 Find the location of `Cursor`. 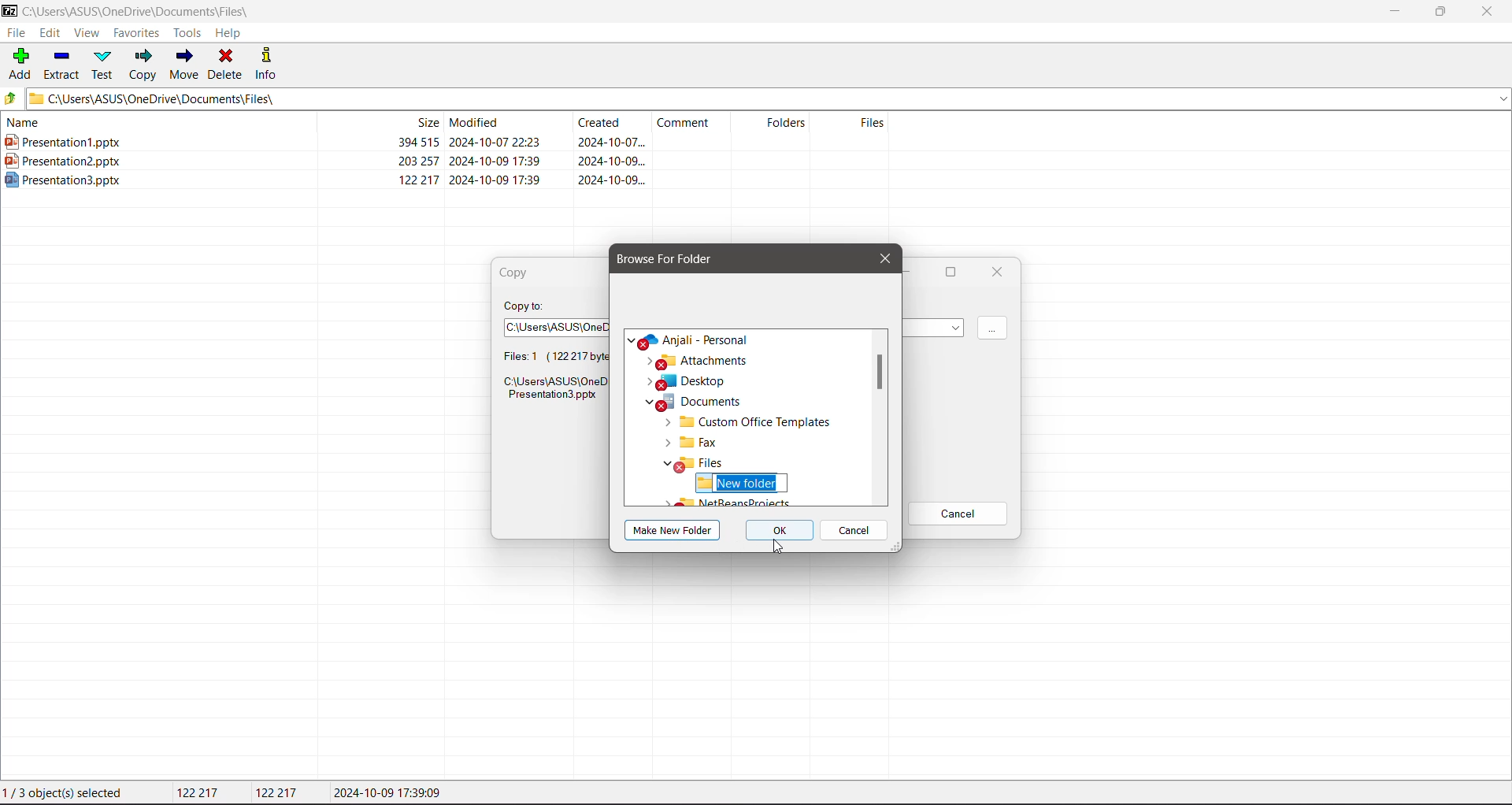

Cursor is located at coordinates (775, 545).